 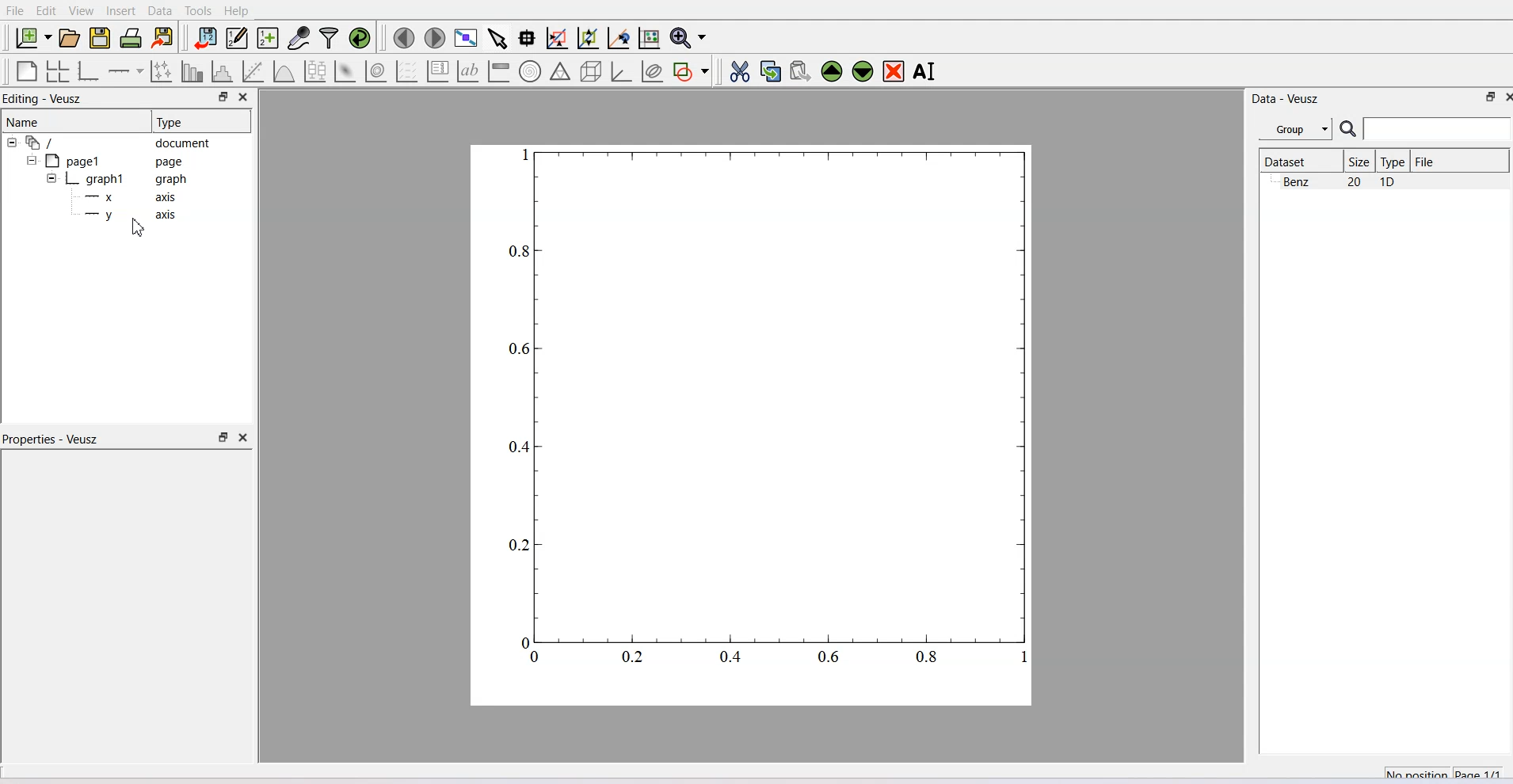 What do you see at coordinates (123, 11) in the screenshot?
I see `Insert` at bounding box center [123, 11].